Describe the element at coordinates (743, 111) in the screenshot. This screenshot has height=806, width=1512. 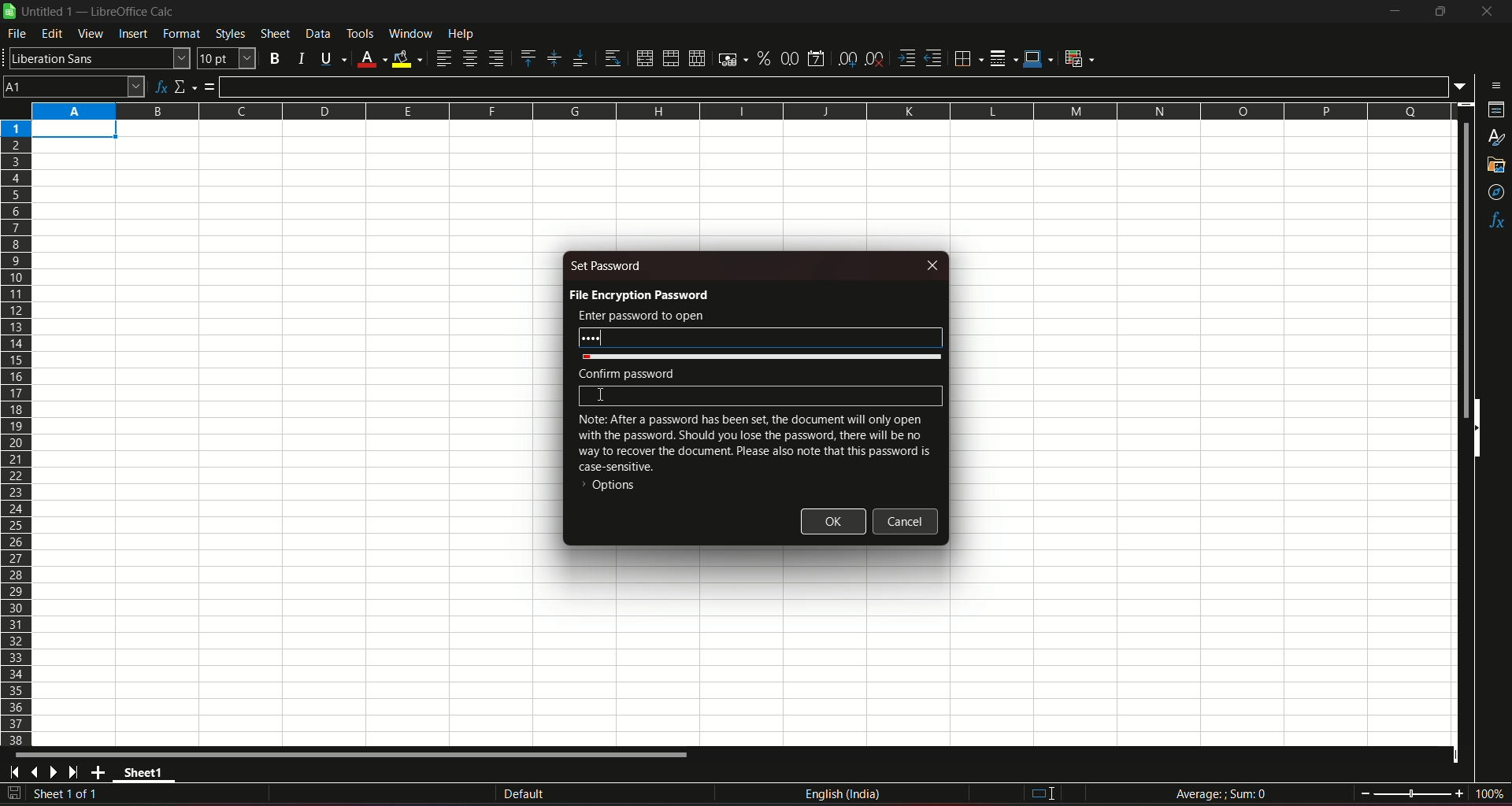
I see `columns` at that location.